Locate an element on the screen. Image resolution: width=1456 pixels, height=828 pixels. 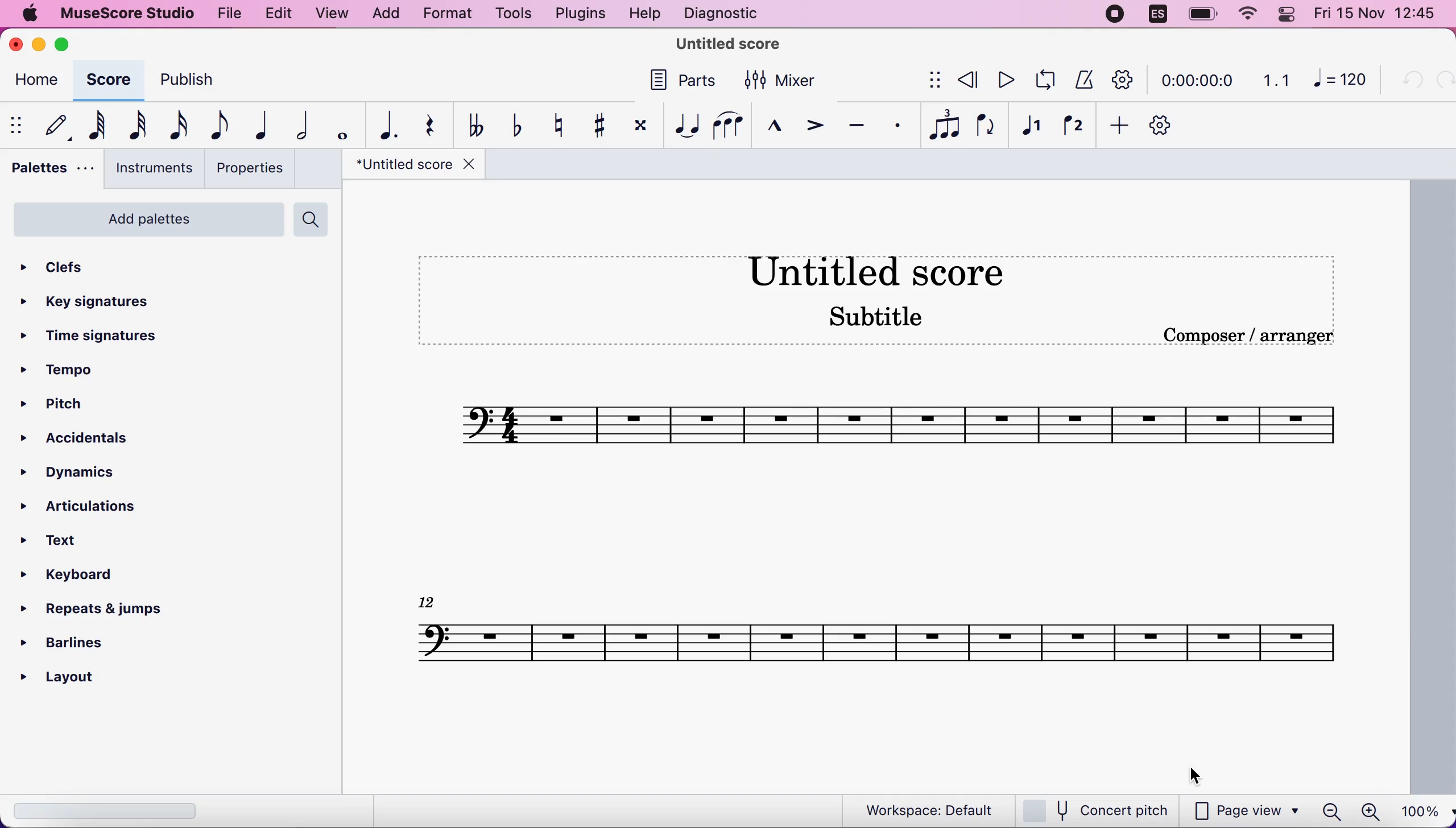
toggle double flat is located at coordinates (470, 124).